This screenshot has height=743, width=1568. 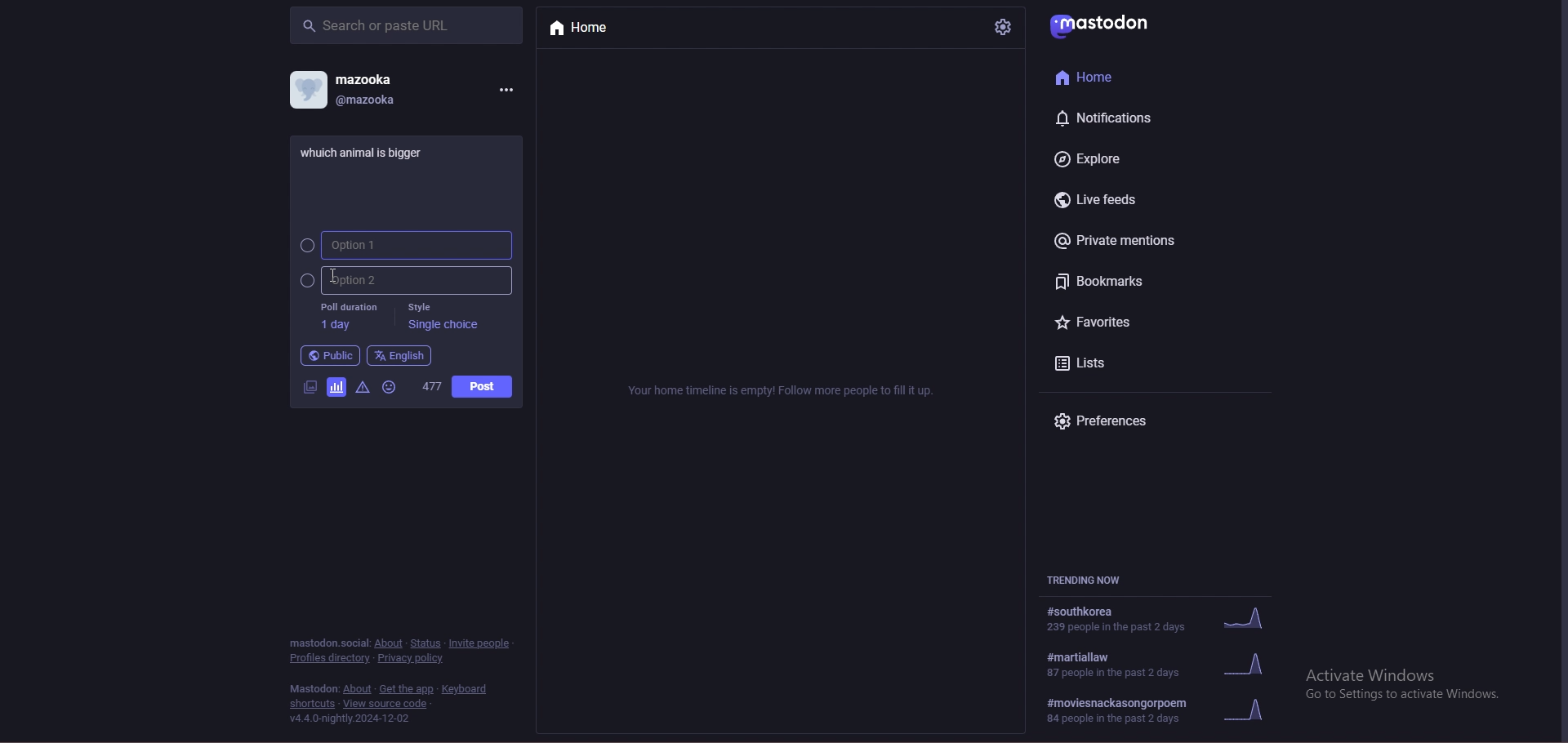 What do you see at coordinates (783, 390) in the screenshot?
I see `info` at bounding box center [783, 390].